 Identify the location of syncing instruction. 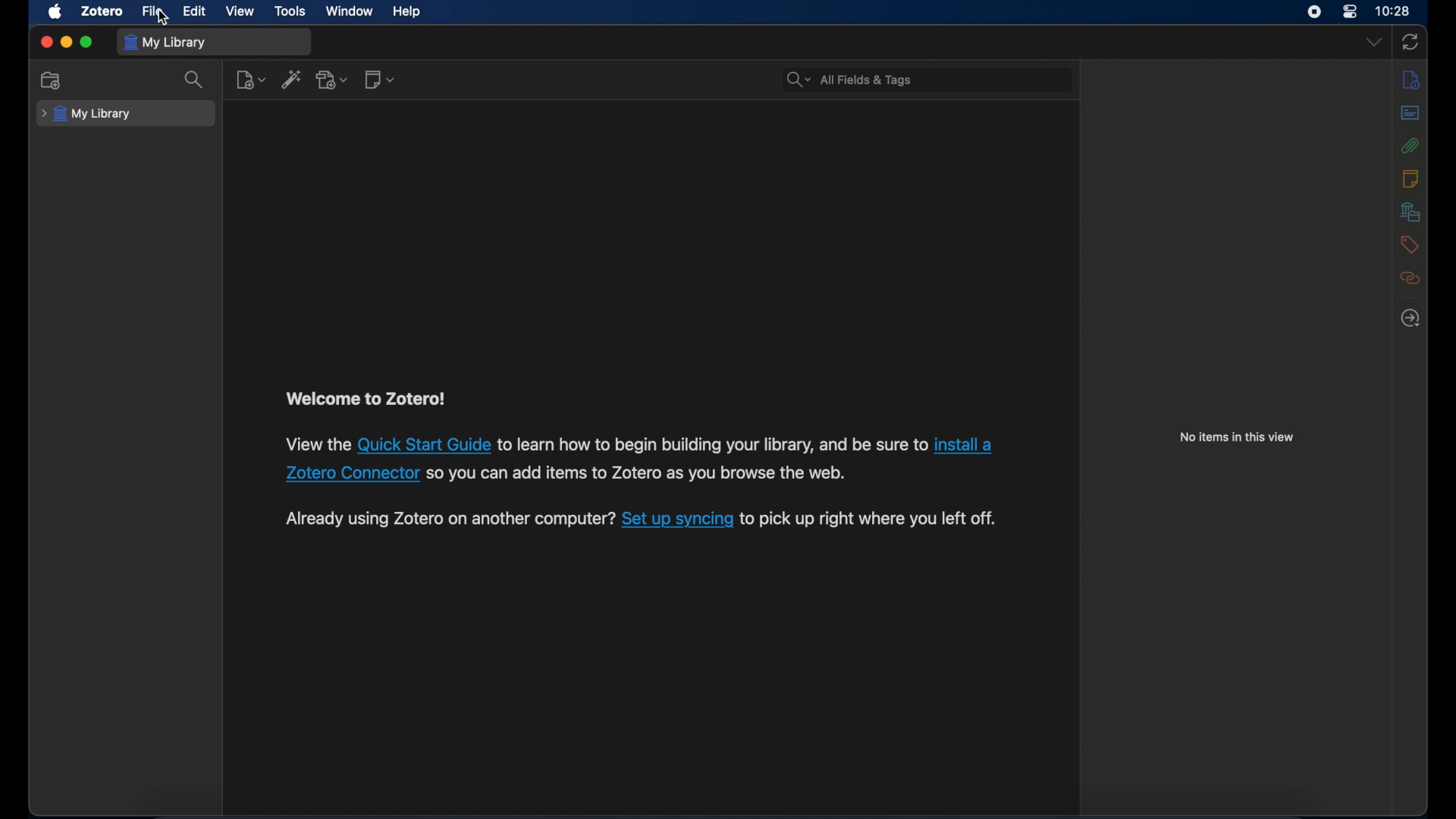
(449, 521).